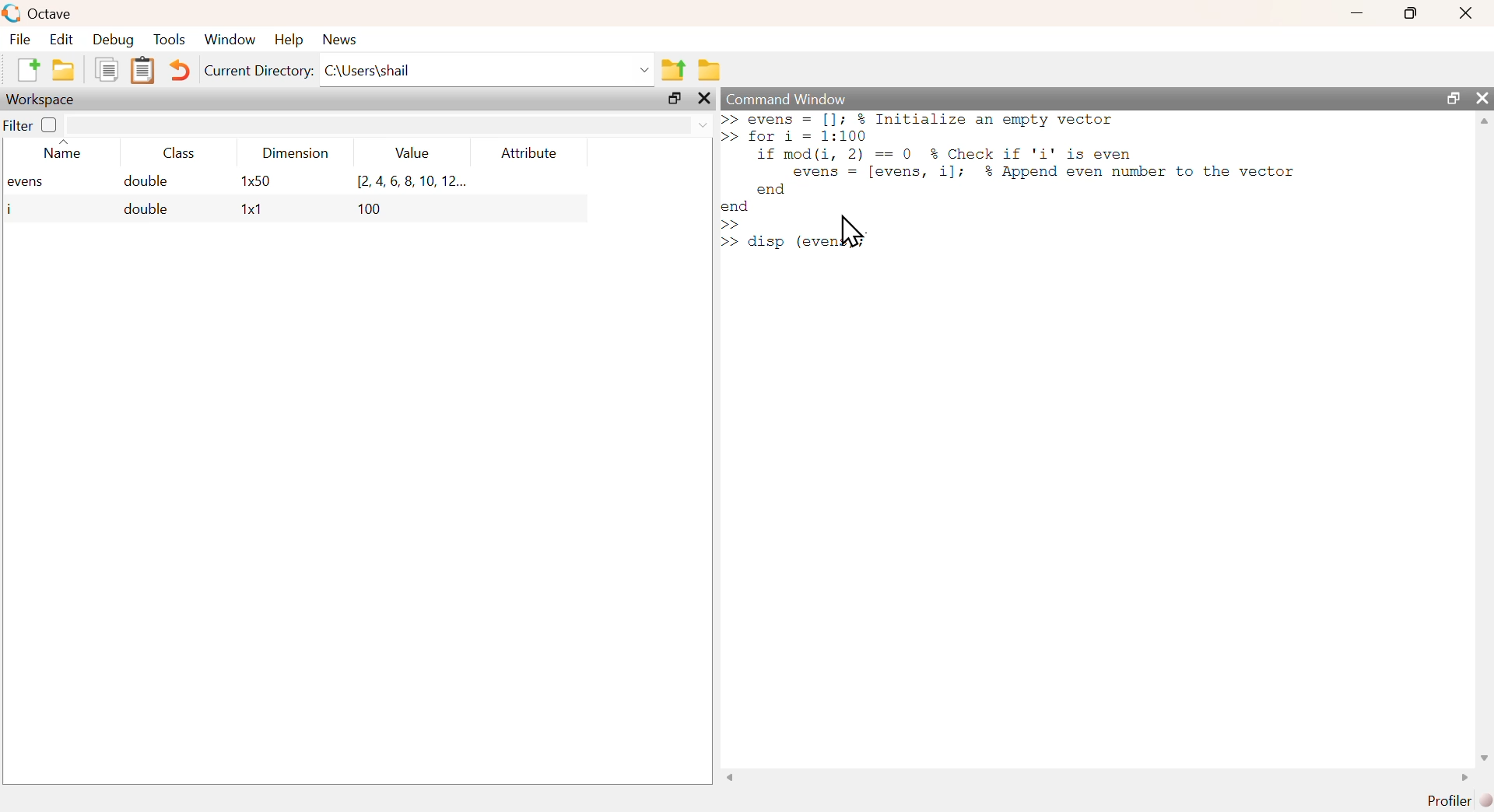 The height and width of the screenshot is (812, 1494). I want to click on attribute, so click(528, 154).